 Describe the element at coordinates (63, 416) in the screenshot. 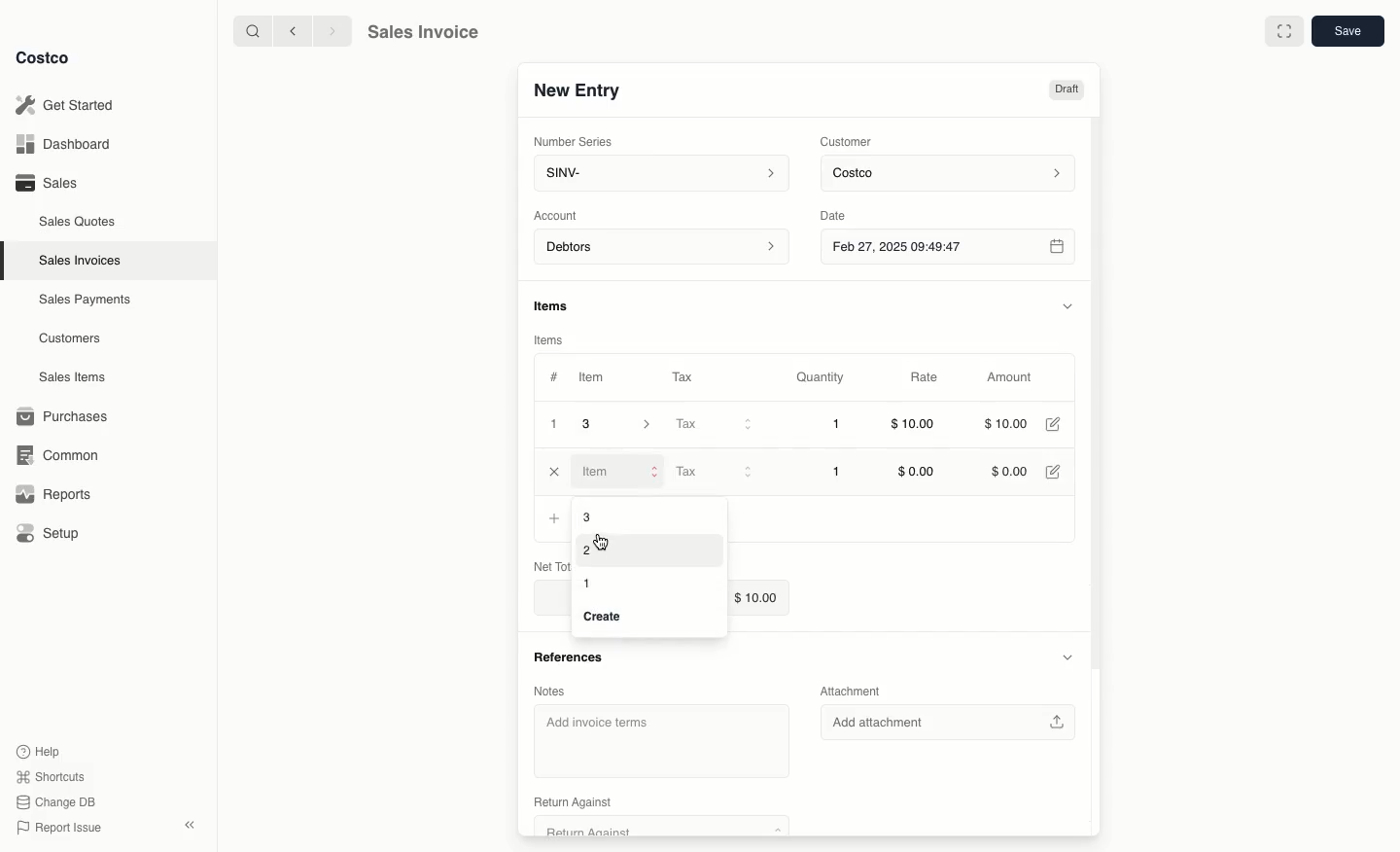

I see `Purchases` at that location.